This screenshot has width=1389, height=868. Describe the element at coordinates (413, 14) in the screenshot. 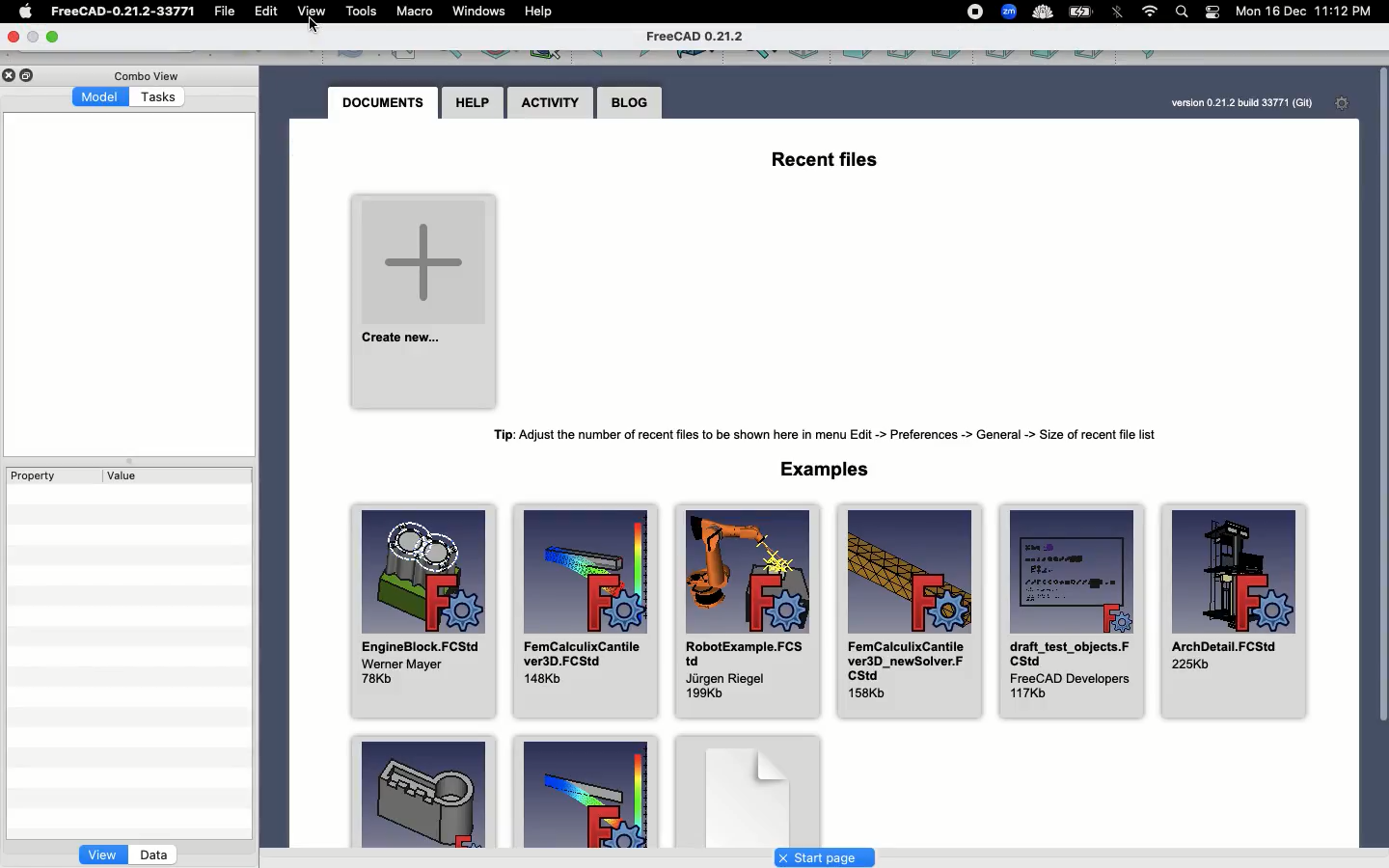

I see `Macro` at that location.